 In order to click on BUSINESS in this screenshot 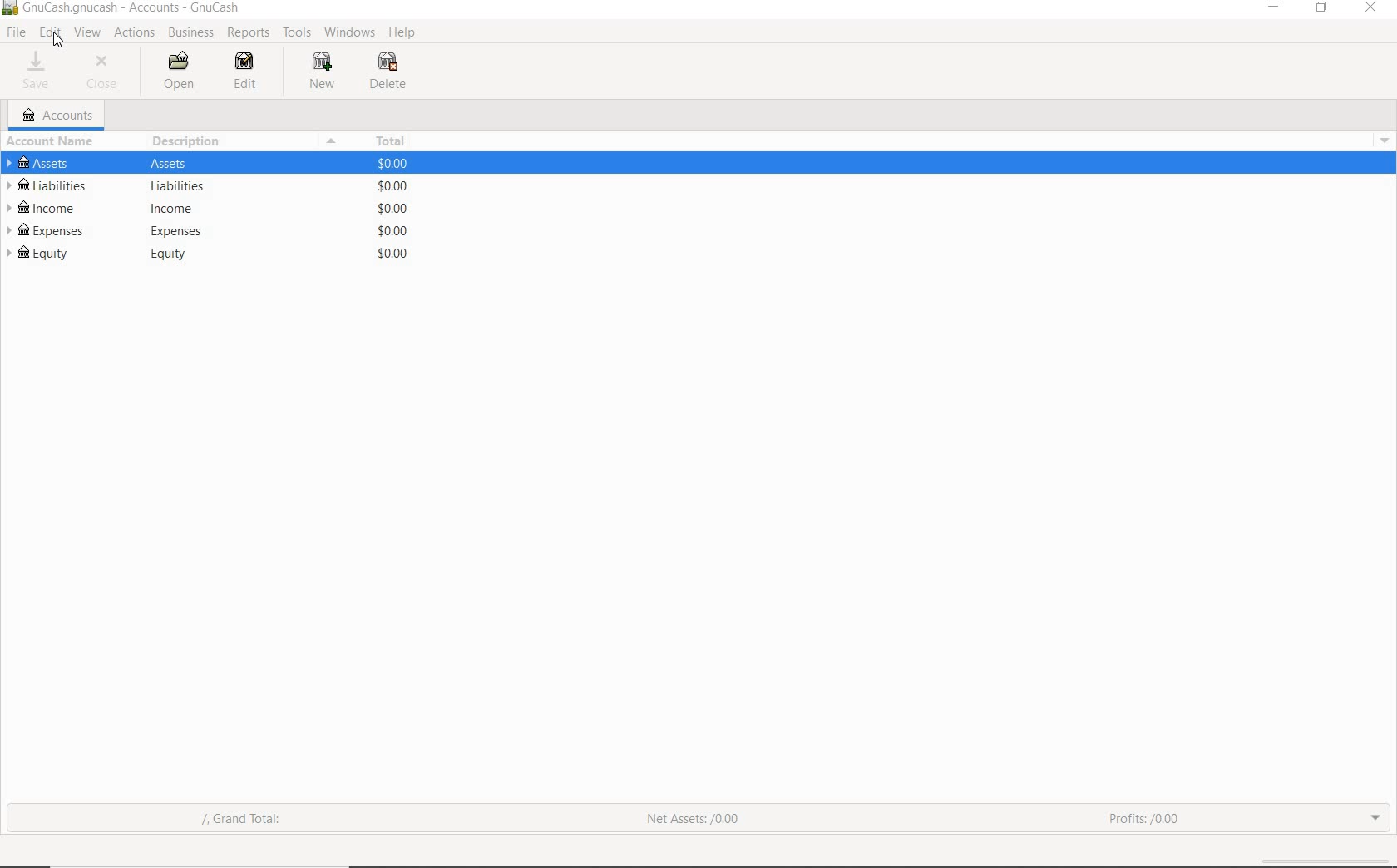, I will do `click(192, 33)`.